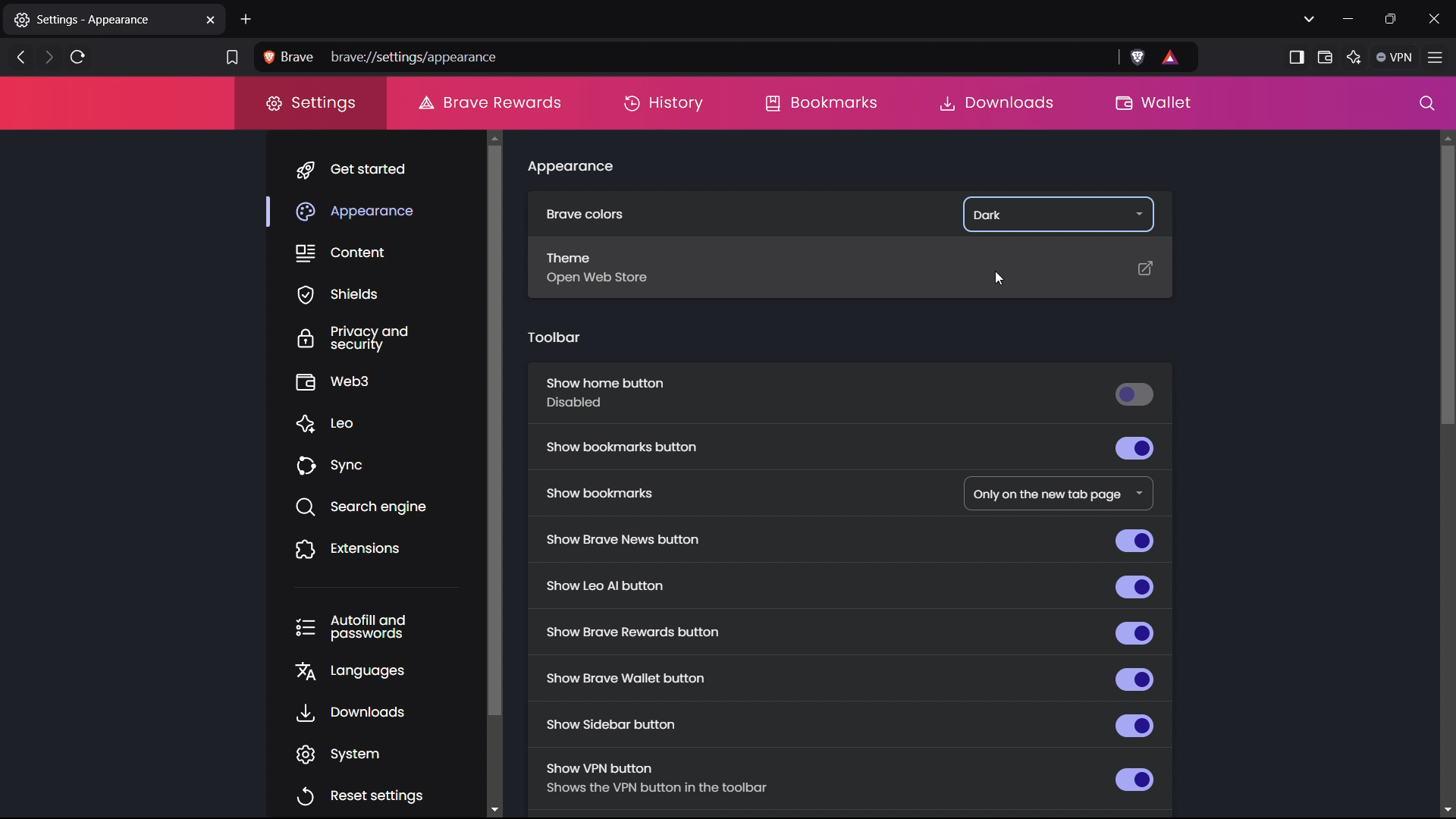 The height and width of the screenshot is (819, 1456). I want to click on toolbar, so click(554, 337).